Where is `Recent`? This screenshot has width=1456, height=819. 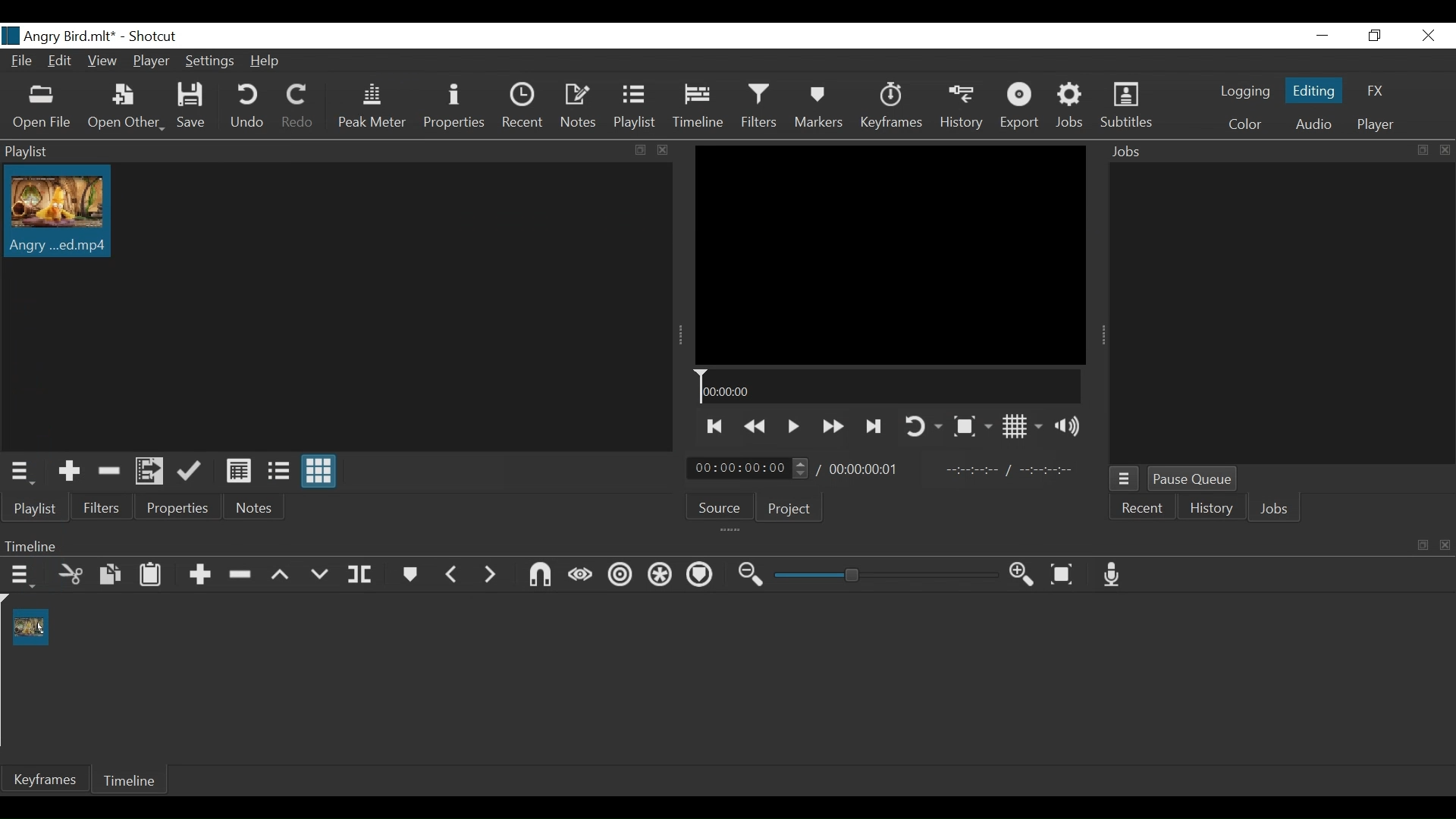 Recent is located at coordinates (1144, 507).